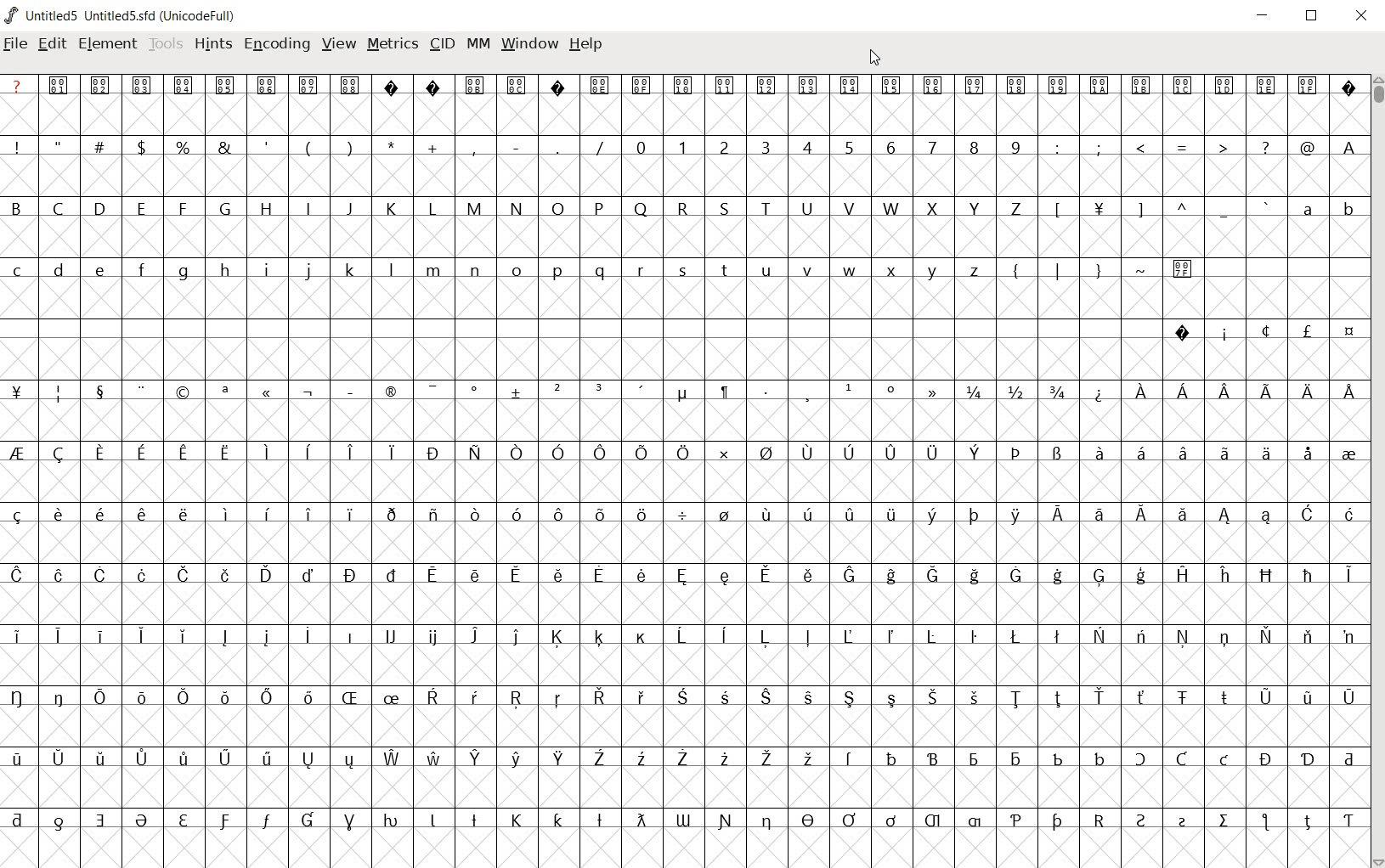 Image resolution: width=1385 pixels, height=868 pixels. What do you see at coordinates (266, 271) in the screenshot?
I see `i` at bounding box center [266, 271].